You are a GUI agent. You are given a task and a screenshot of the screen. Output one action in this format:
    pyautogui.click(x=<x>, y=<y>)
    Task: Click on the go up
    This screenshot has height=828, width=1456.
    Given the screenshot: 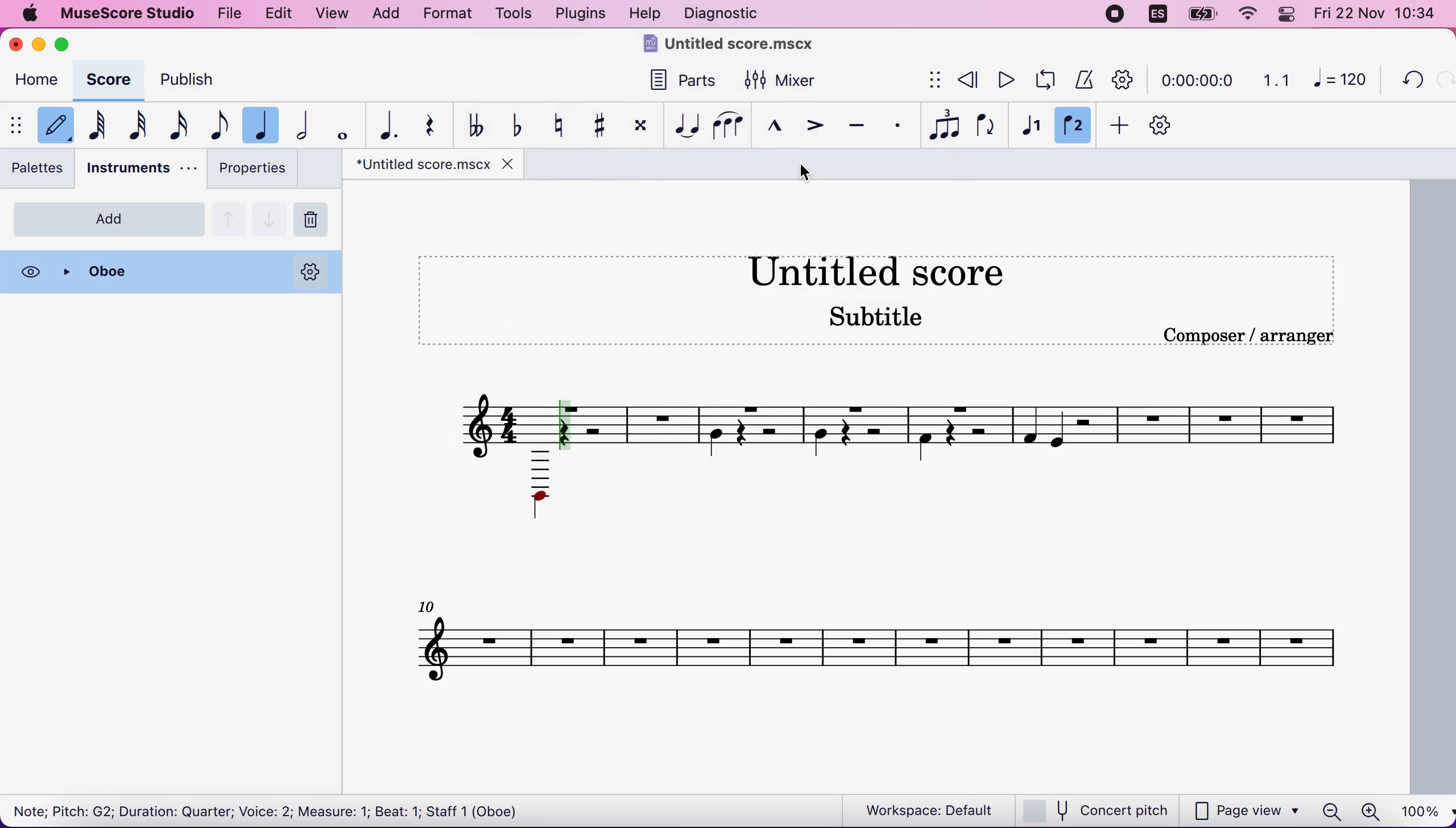 What is the action you would take?
    pyautogui.click(x=229, y=218)
    